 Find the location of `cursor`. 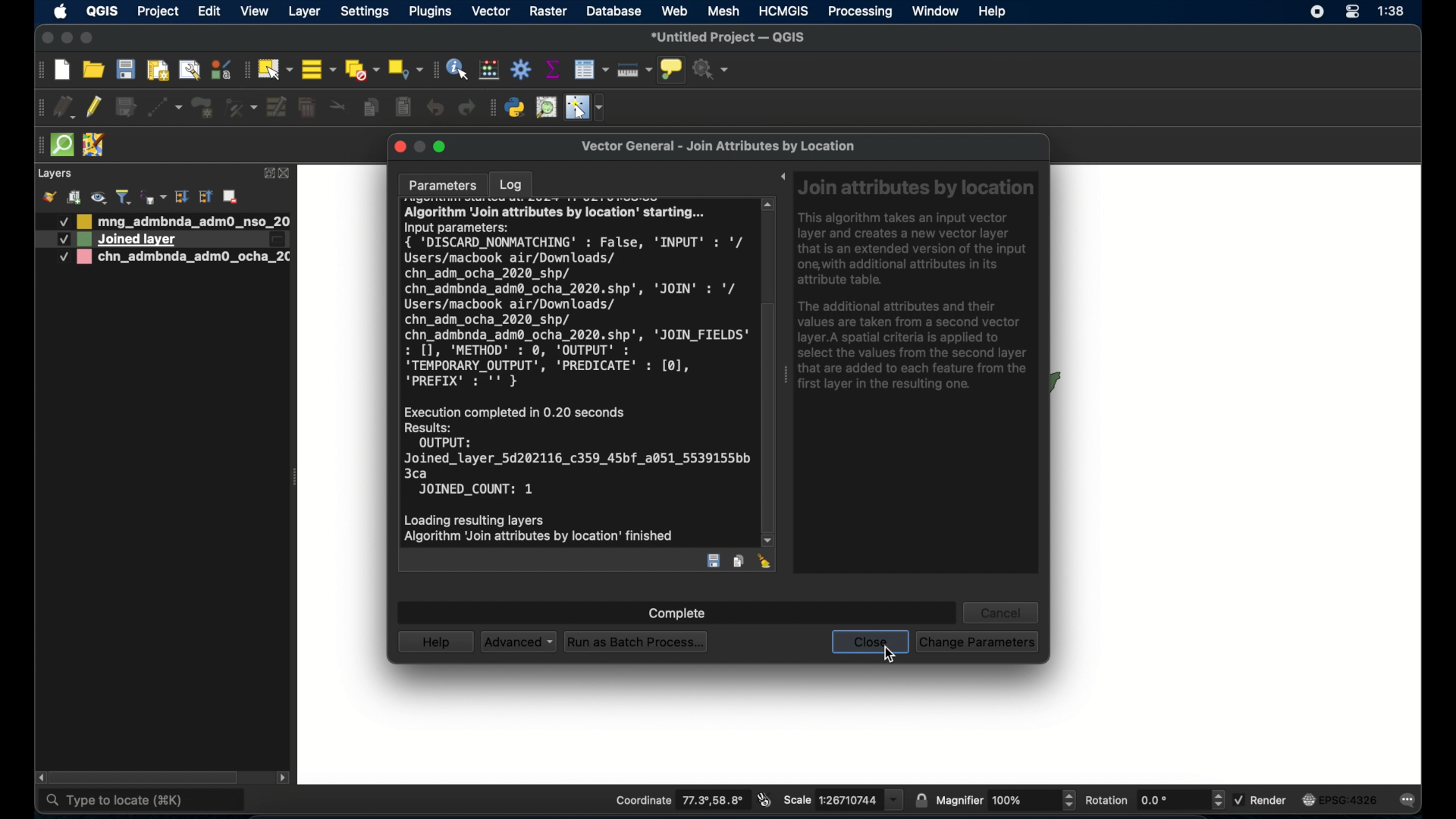

cursor is located at coordinates (891, 655).